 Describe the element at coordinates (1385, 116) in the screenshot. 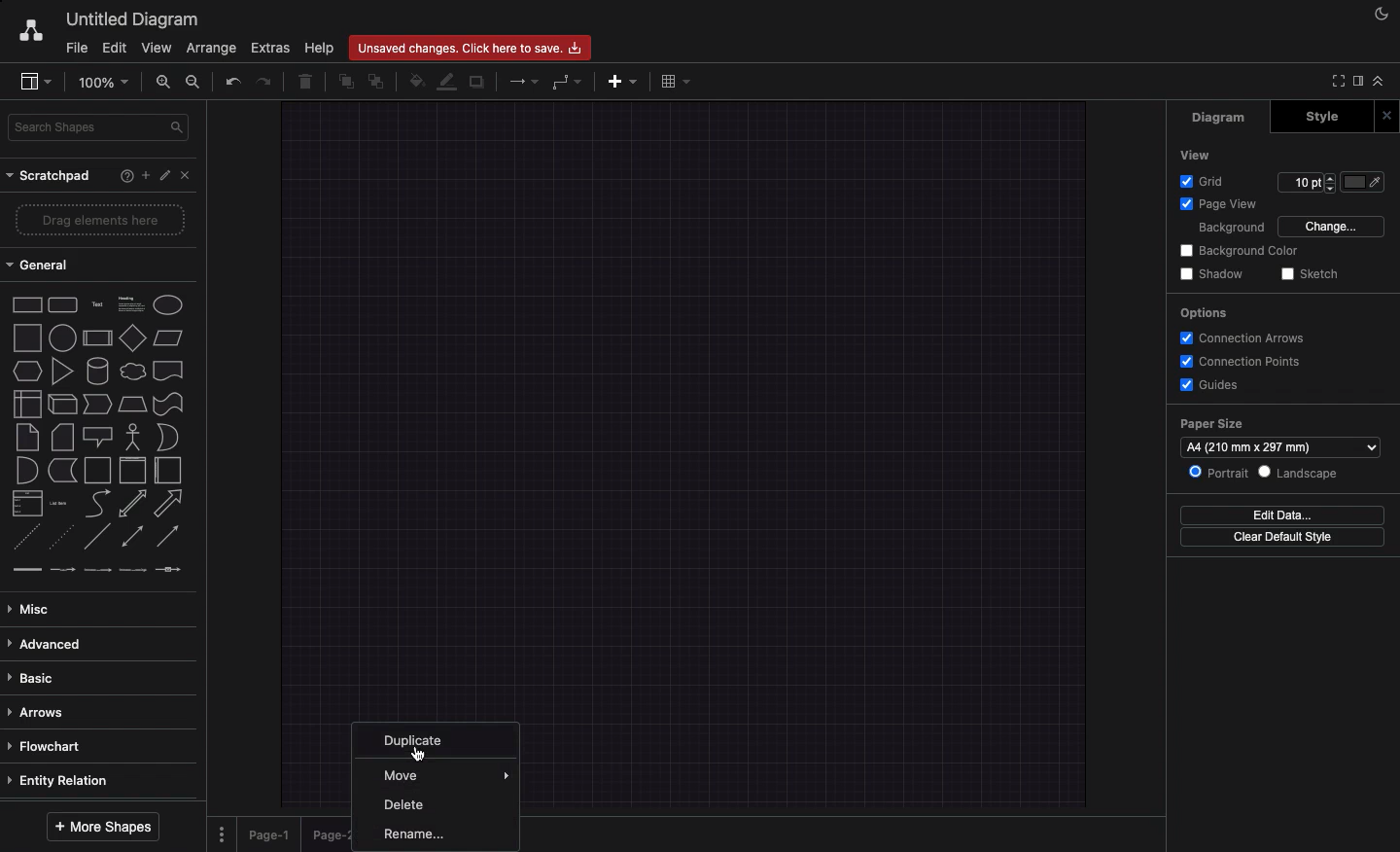

I see `Close` at that location.